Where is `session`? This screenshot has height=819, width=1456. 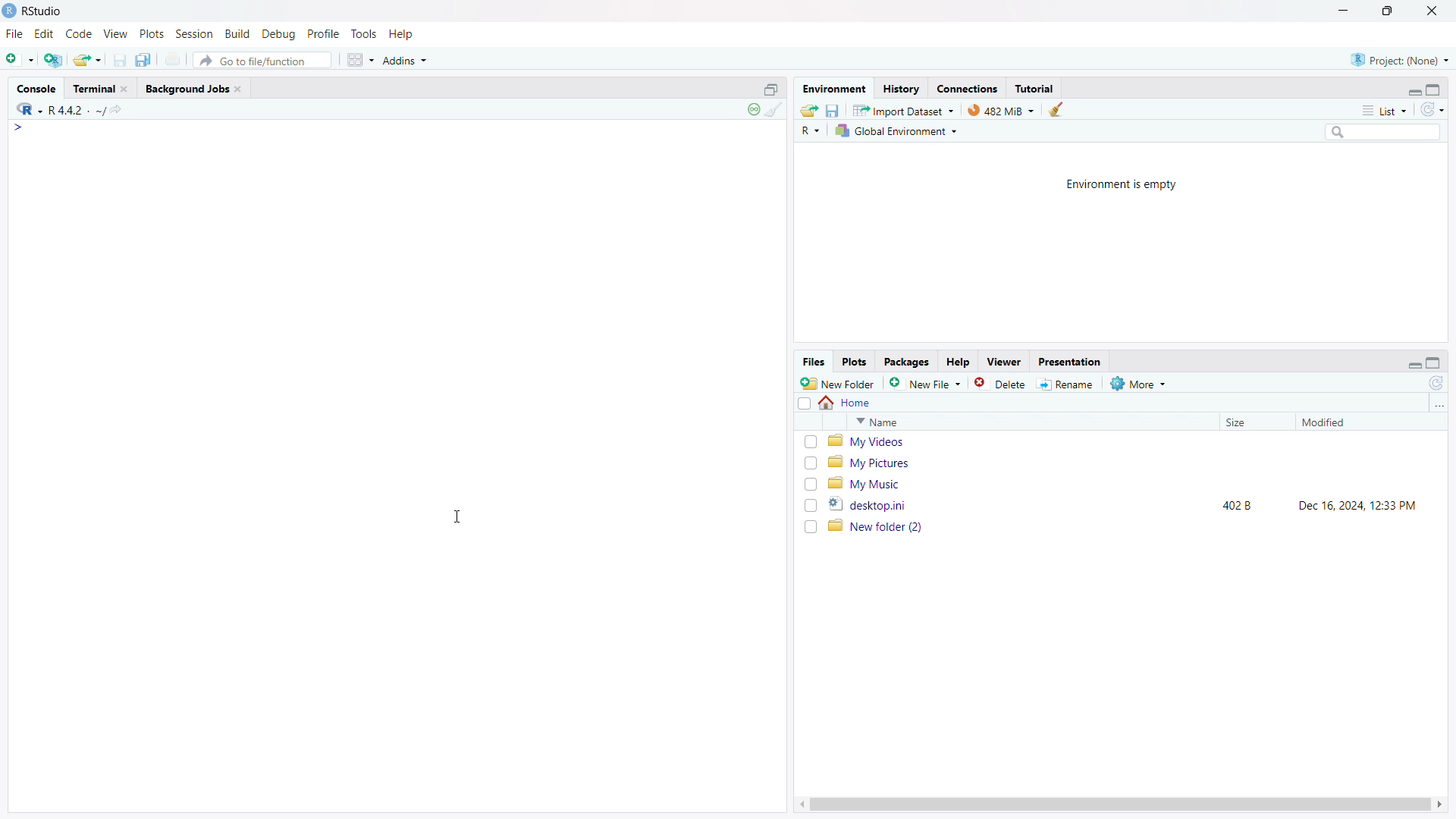 session is located at coordinates (194, 33).